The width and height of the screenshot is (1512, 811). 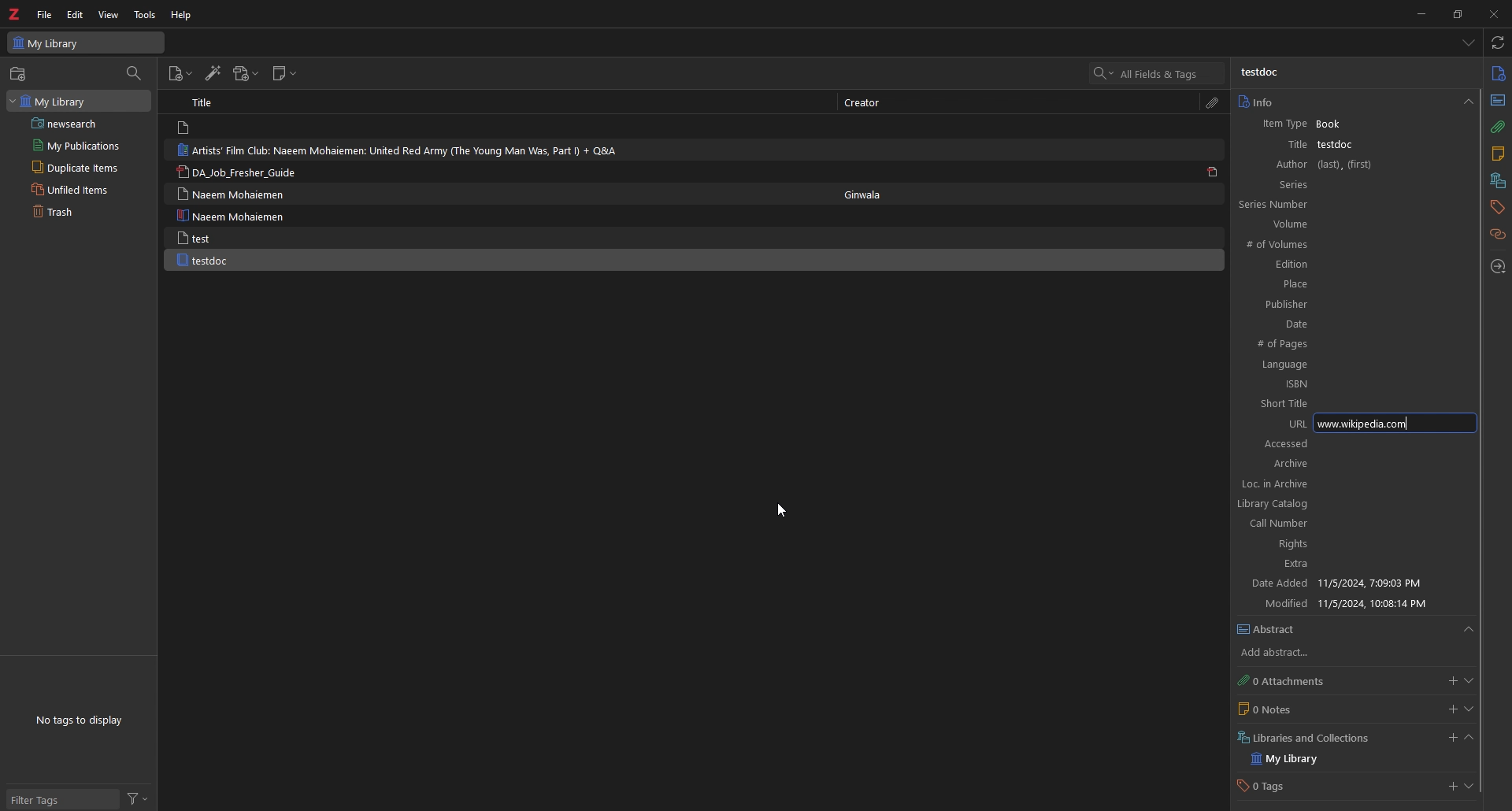 I want to click on view, so click(x=109, y=14).